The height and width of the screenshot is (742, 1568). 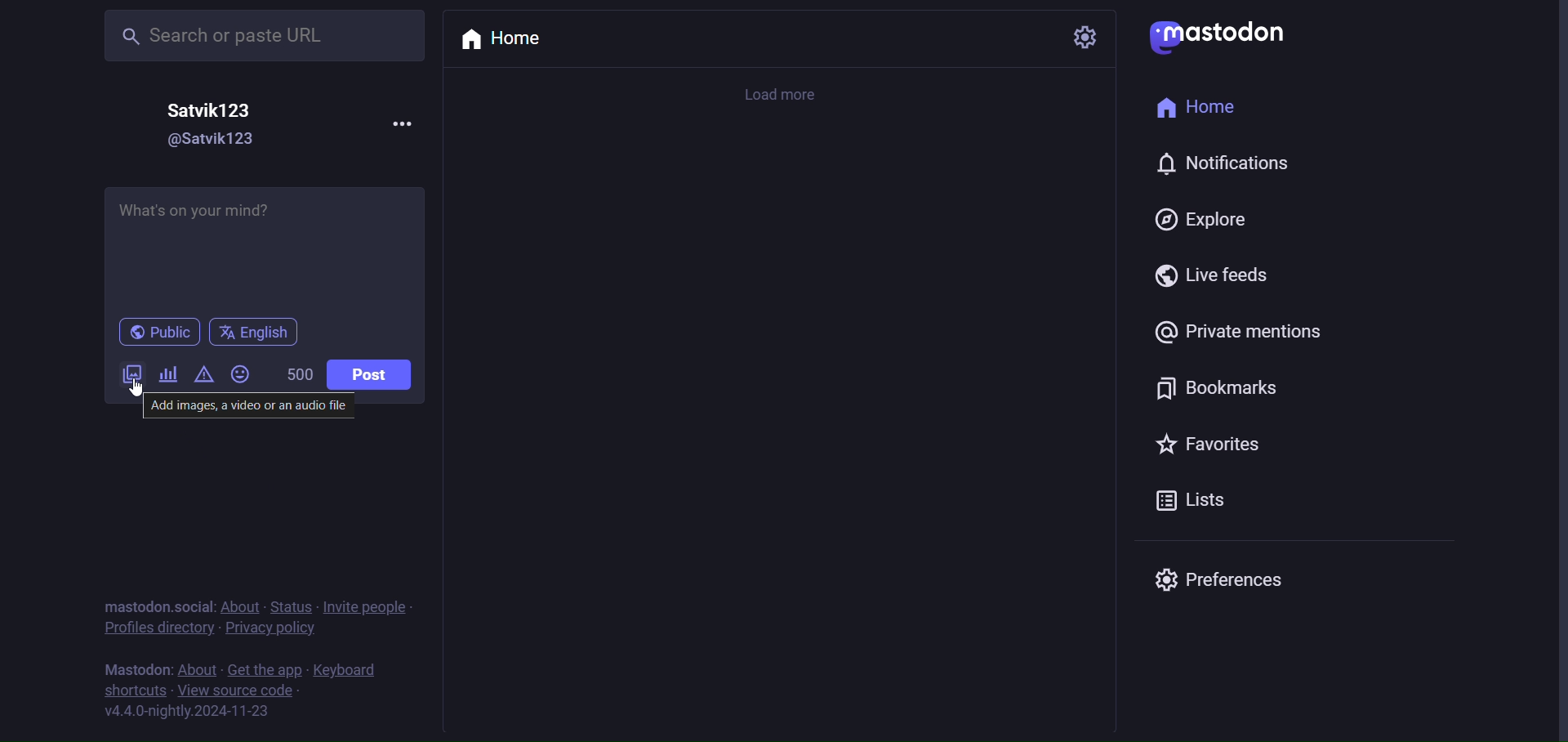 I want to click on bookmark, so click(x=1215, y=391).